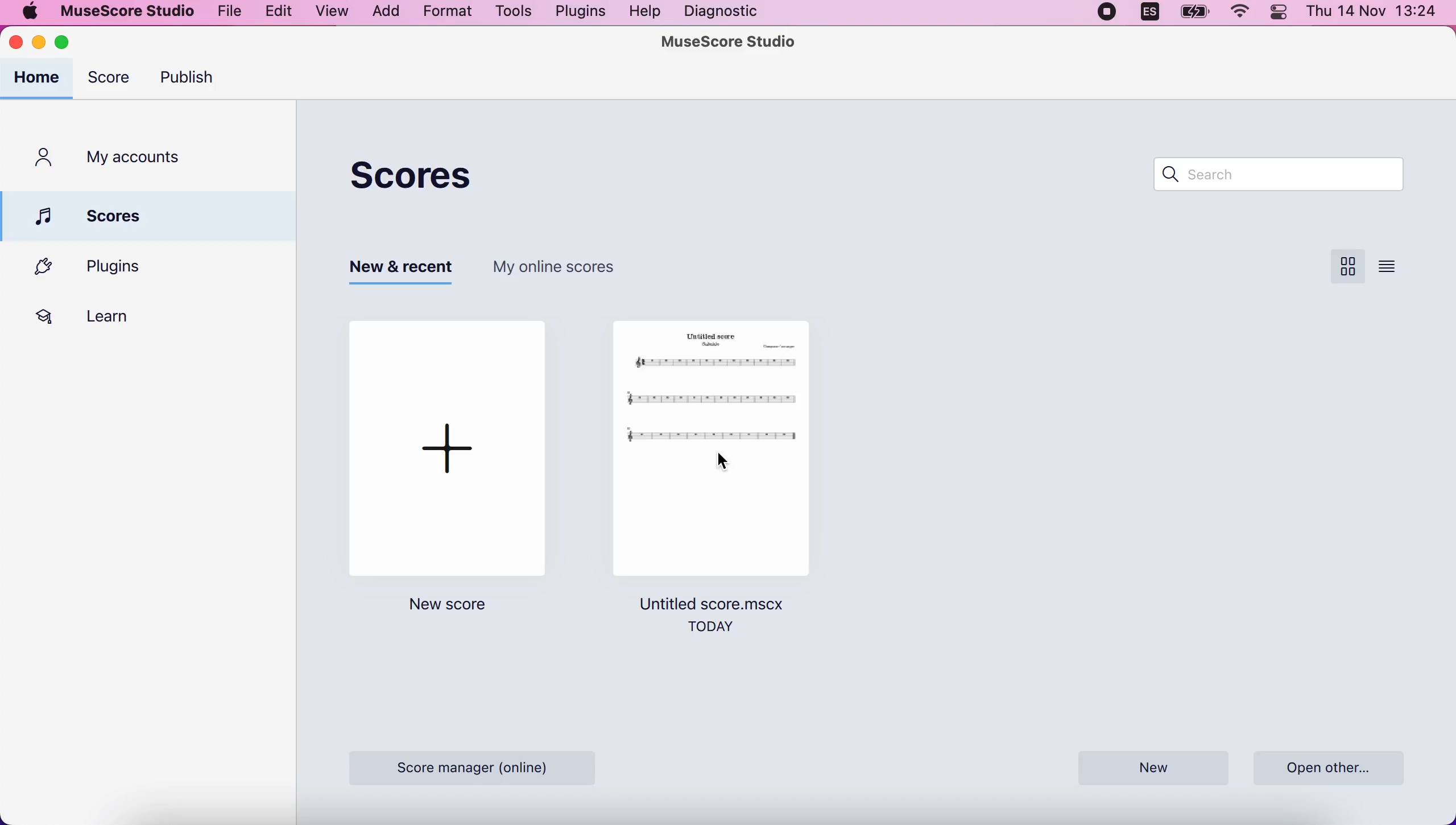 The width and height of the screenshot is (1456, 825). What do you see at coordinates (1400, 268) in the screenshot?
I see `way of presenting scores` at bounding box center [1400, 268].